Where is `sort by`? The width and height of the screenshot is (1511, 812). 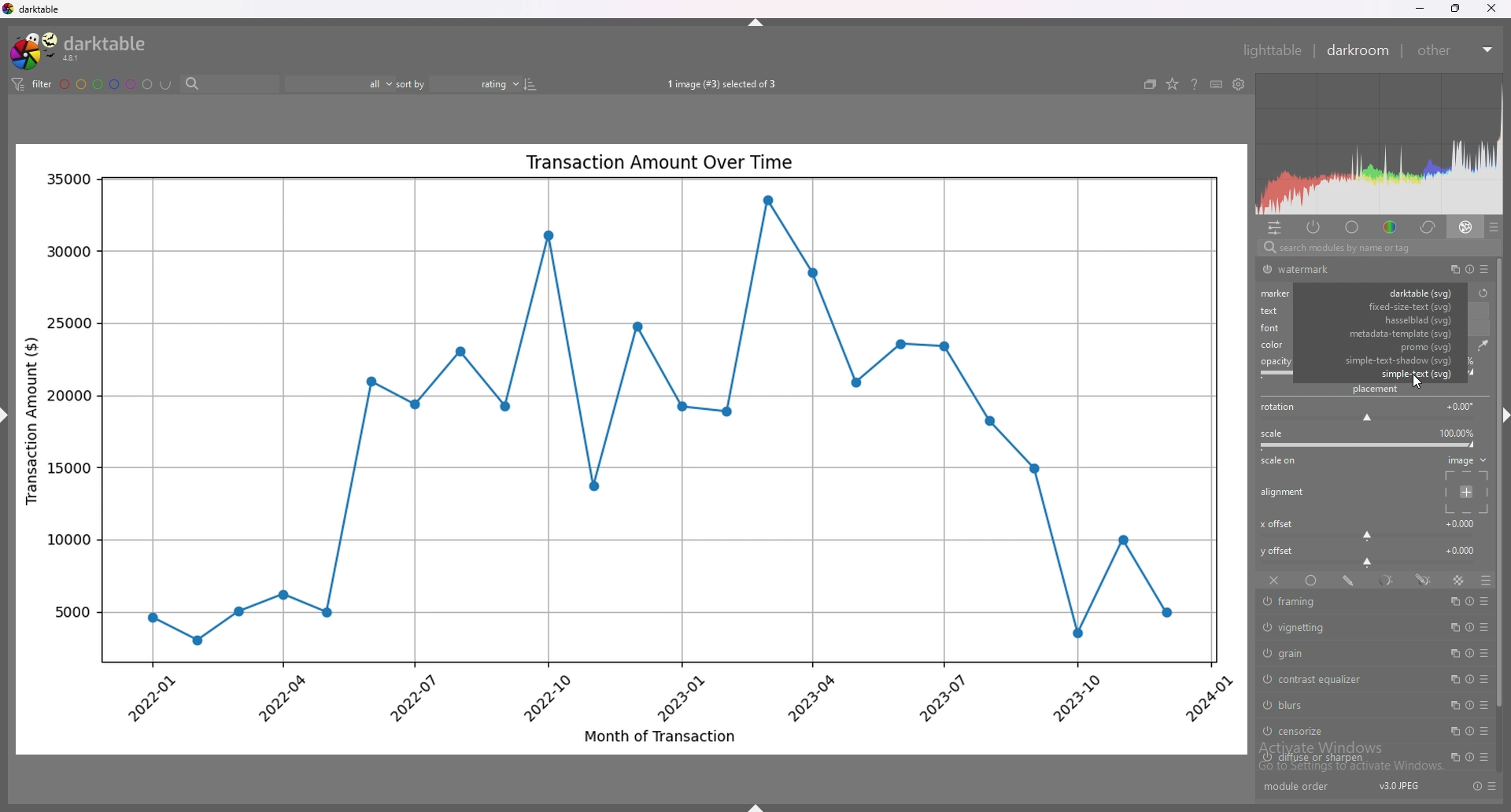
sort by is located at coordinates (458, 82).